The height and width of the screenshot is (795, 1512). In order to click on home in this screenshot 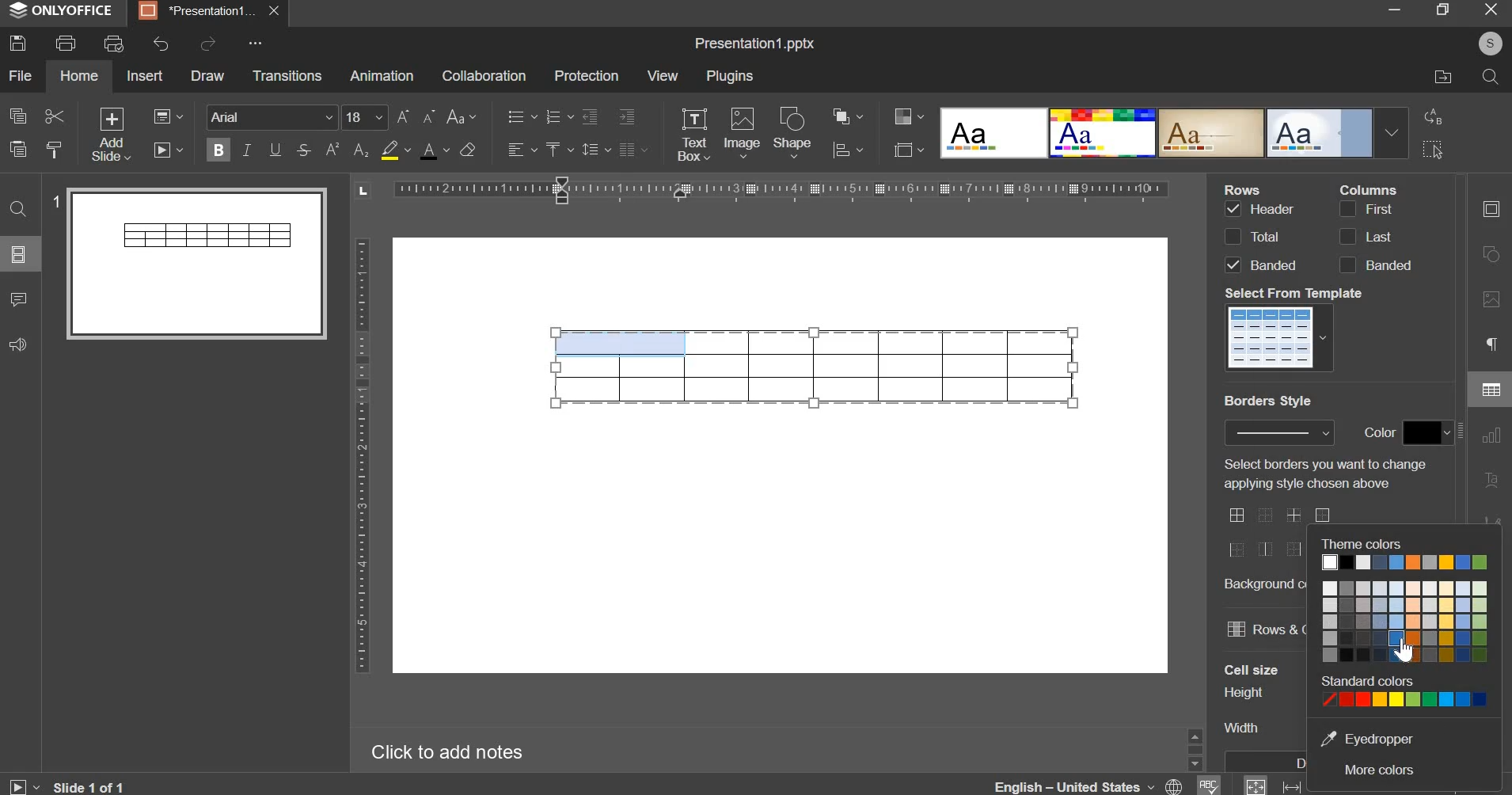, I will do `click(78, 75)`.